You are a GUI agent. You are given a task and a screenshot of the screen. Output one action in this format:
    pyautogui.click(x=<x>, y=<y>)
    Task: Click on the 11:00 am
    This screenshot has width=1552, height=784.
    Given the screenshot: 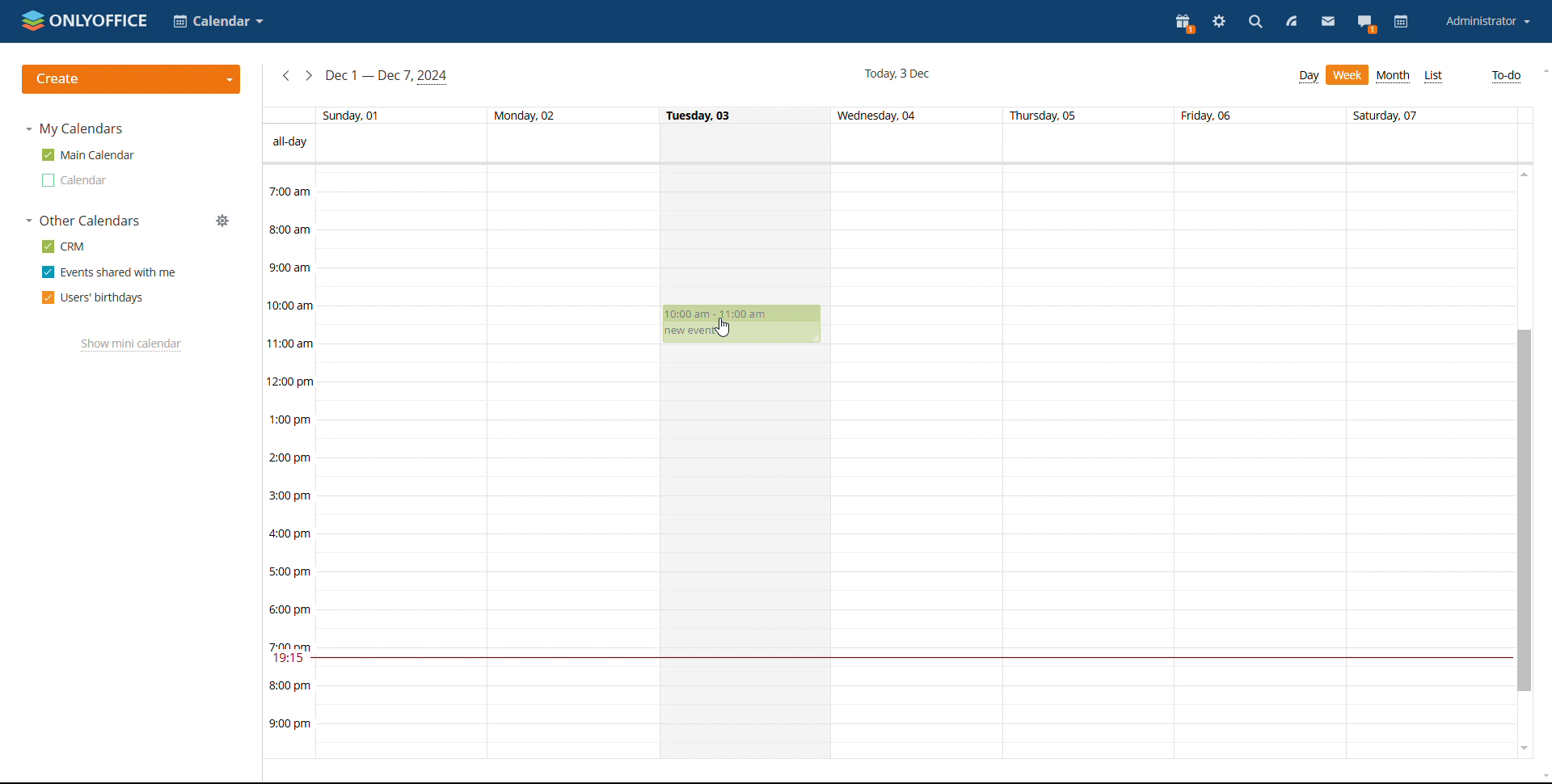 What is the action you would take?
    pyautogui.click(x=291, y=343)
    